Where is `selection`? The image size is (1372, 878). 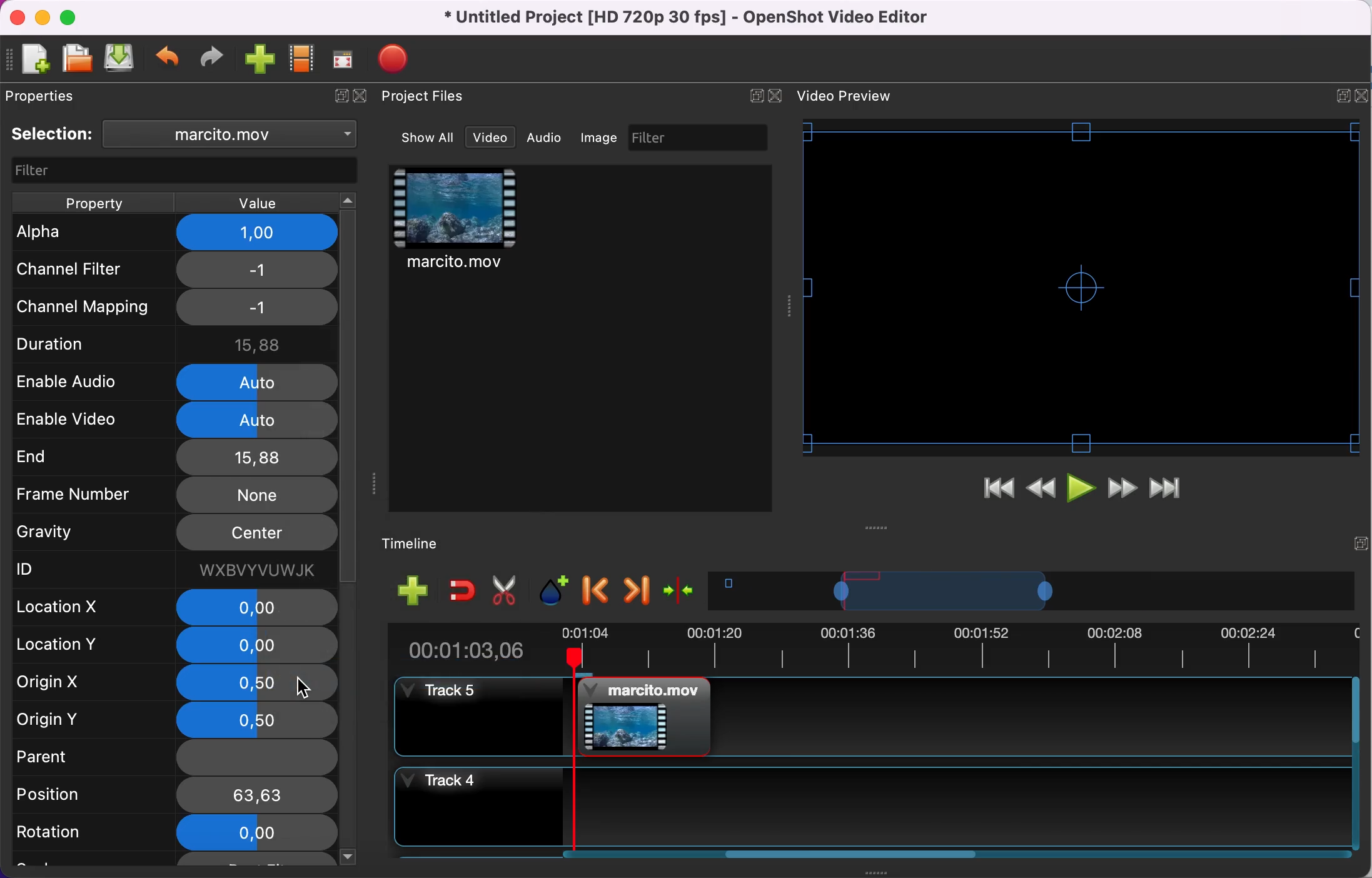 selection is located at coordinates (53, 134).